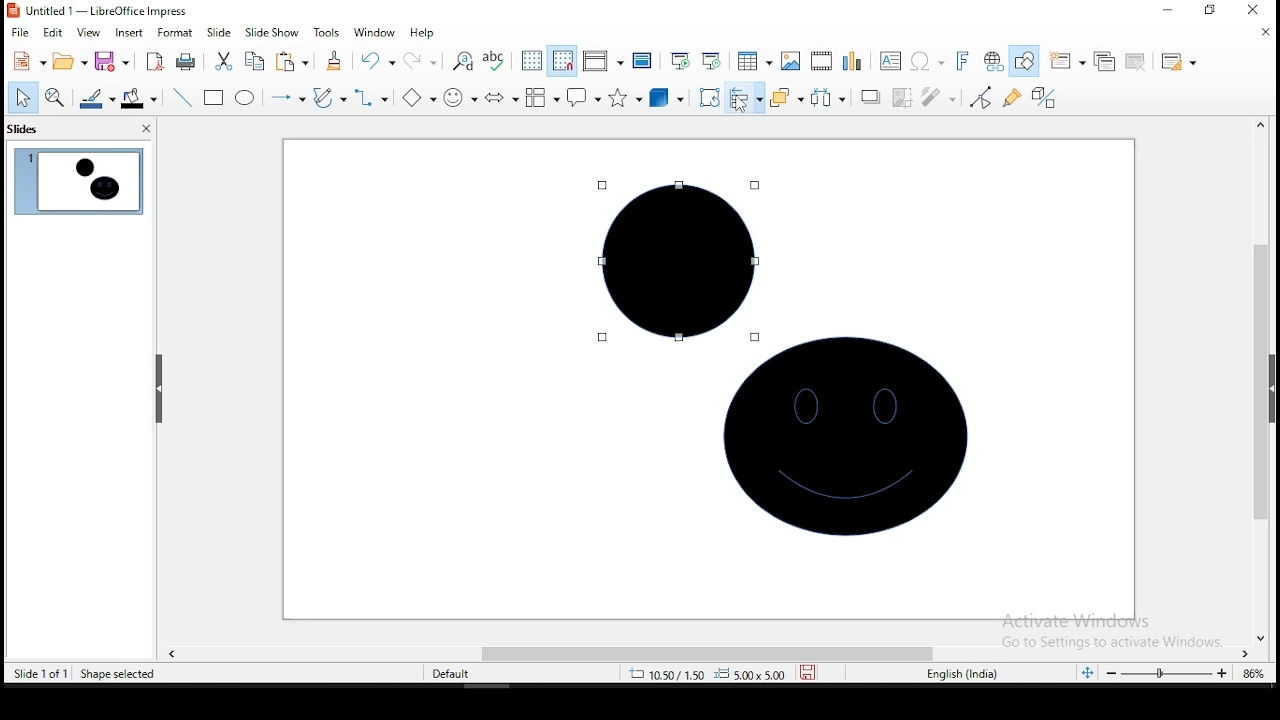  Describe the element at coordinates (19, 32) in the screenshot. I see `file` at that location.